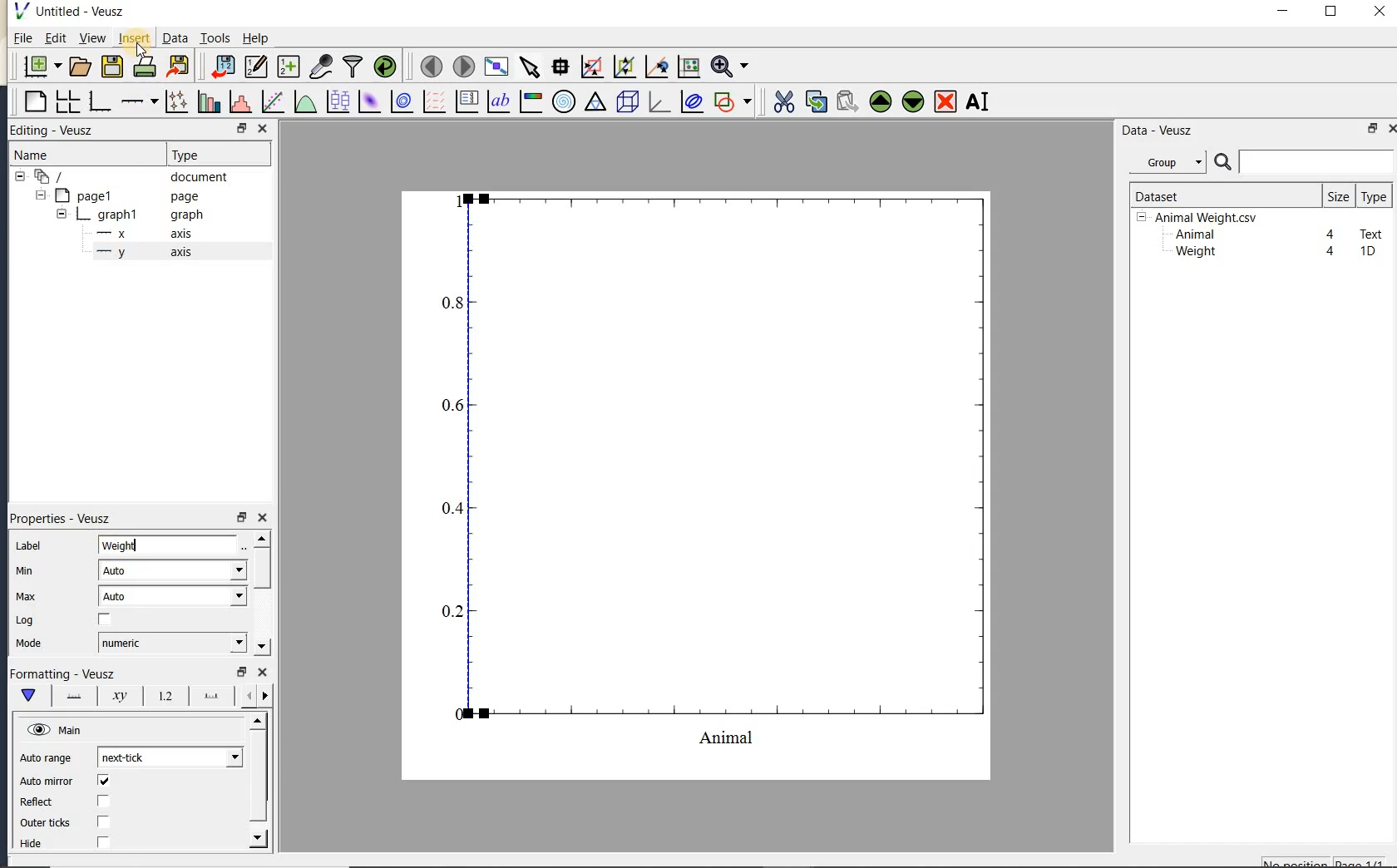 This screenshot has width=1397, height=868. I want to click on save the document, so click(111, 67).